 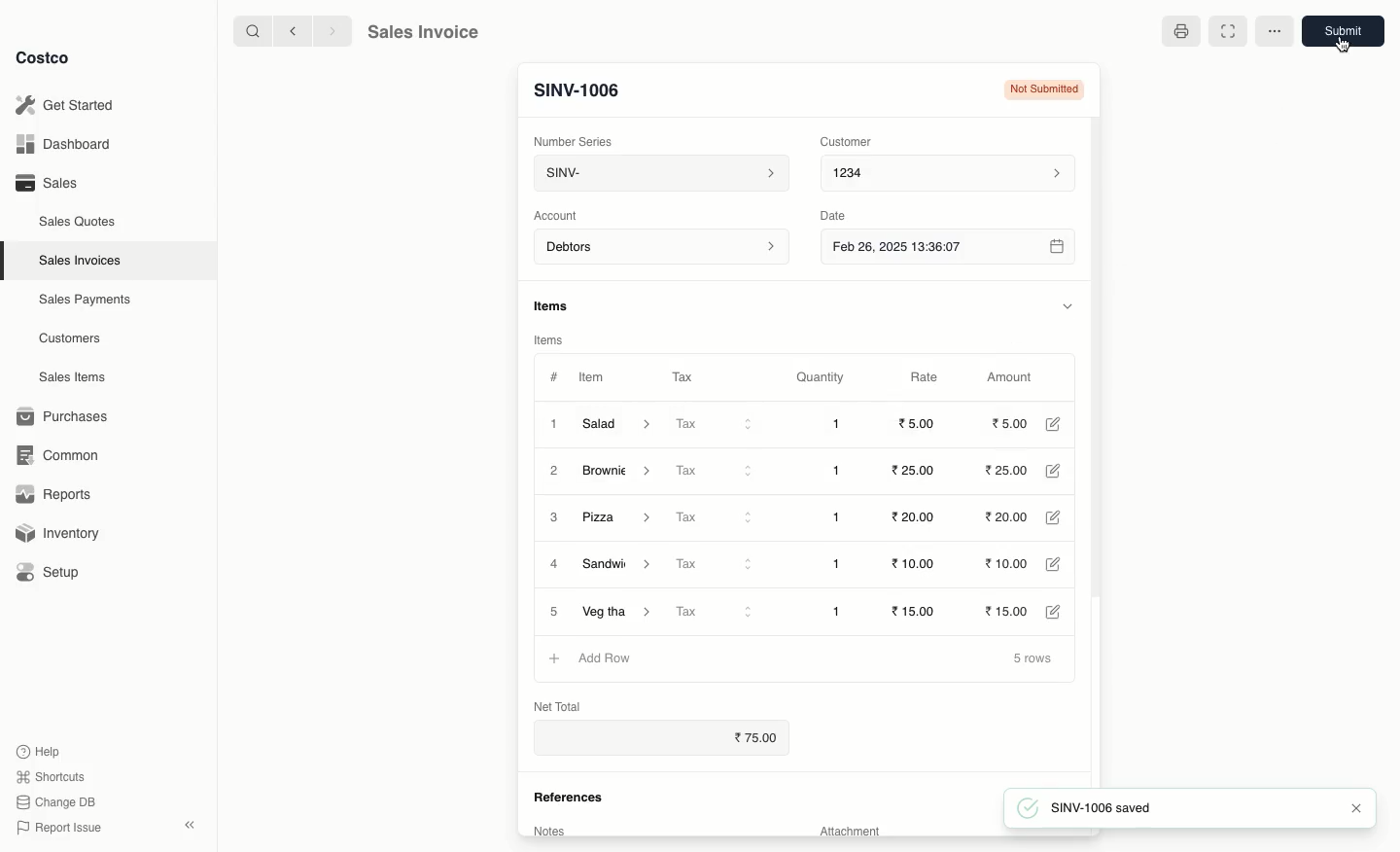 What do you see at coordinates (663, 250) in the screenshot?
I see `Account` at bounding box center [663, 250].